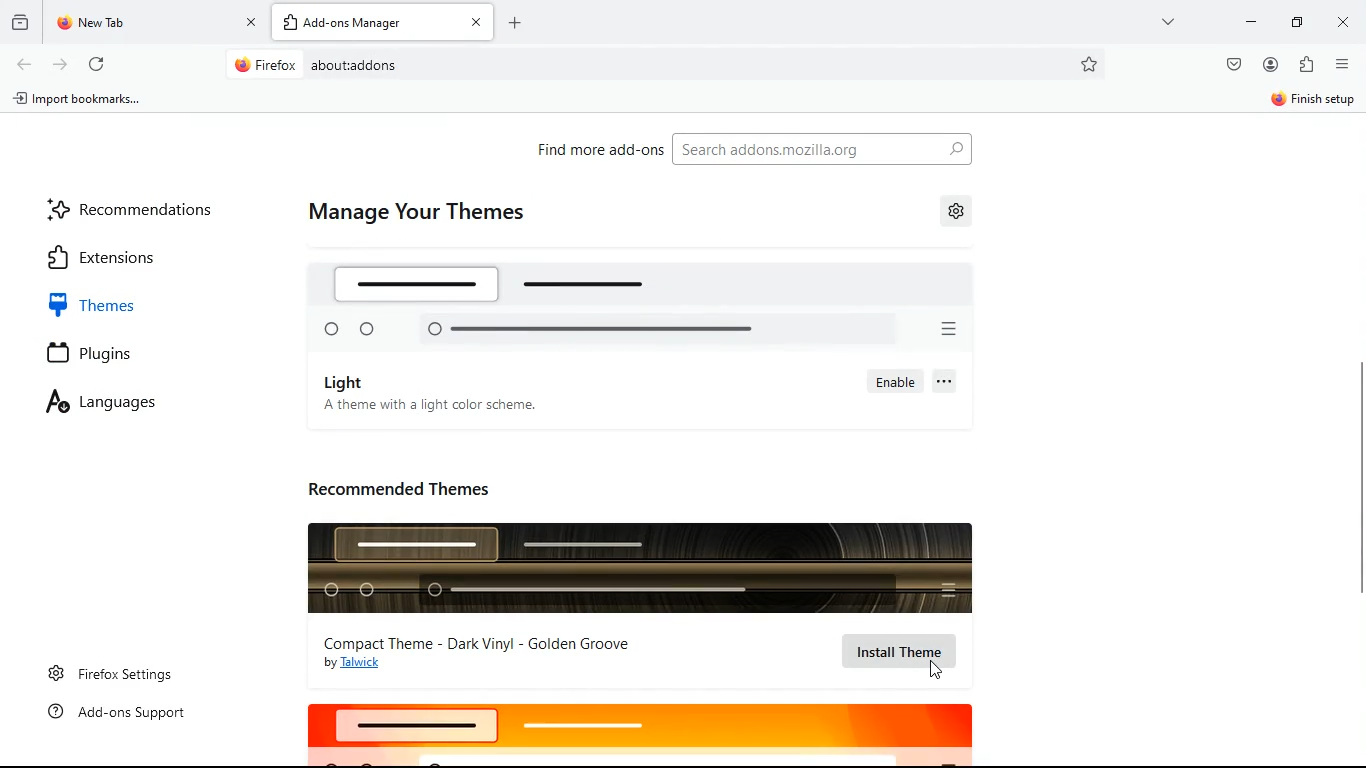 The height and width of the screenshot is (768, 1366). What do you see at coordinates (1236, 67) in the screenshot?
I see `pocket` at bounding box center [1236, 67].